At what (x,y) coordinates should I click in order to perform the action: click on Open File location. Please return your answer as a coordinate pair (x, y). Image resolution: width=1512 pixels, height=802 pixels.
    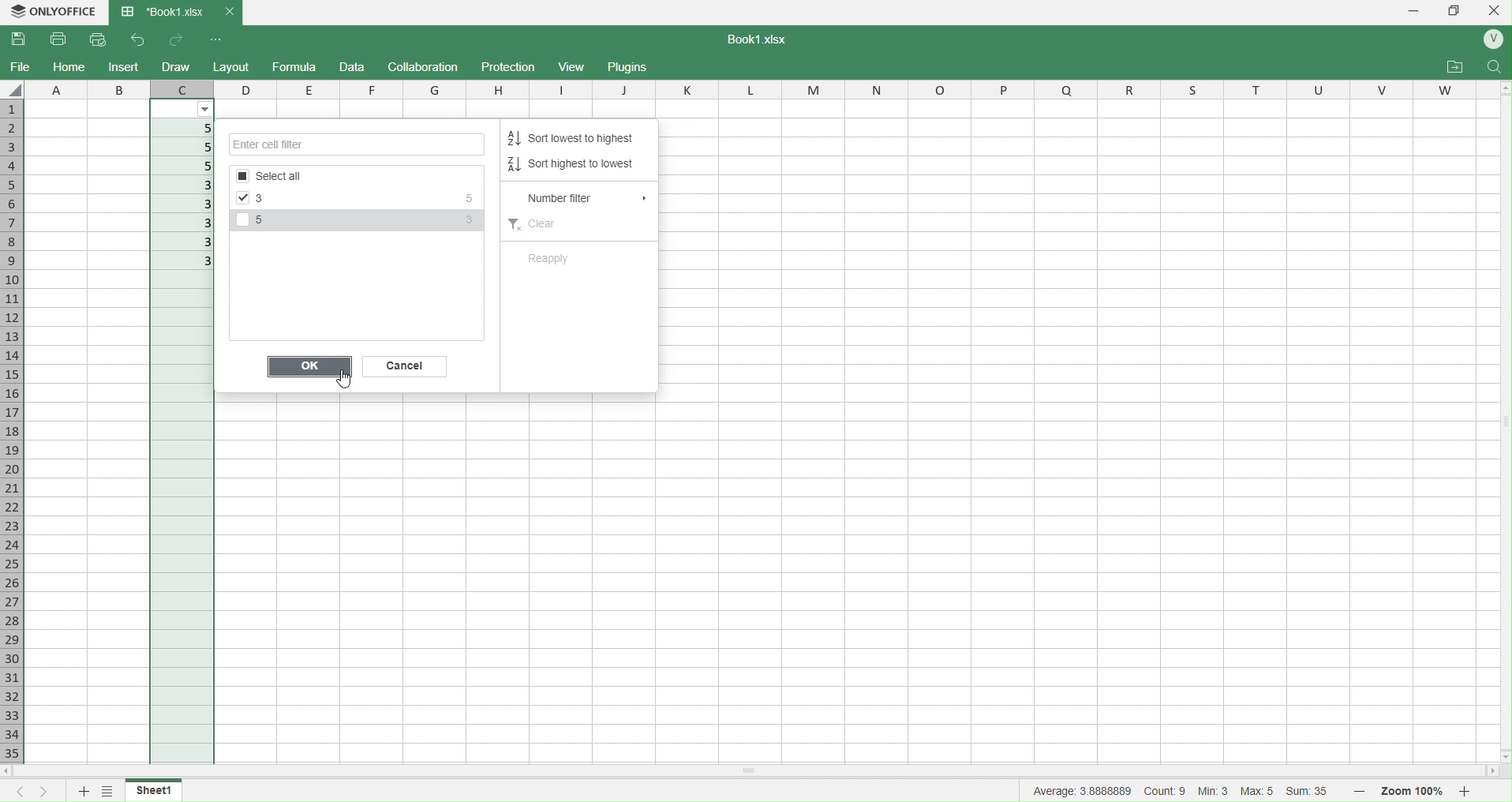
    Looking at the image, I should click on (1455, 67).